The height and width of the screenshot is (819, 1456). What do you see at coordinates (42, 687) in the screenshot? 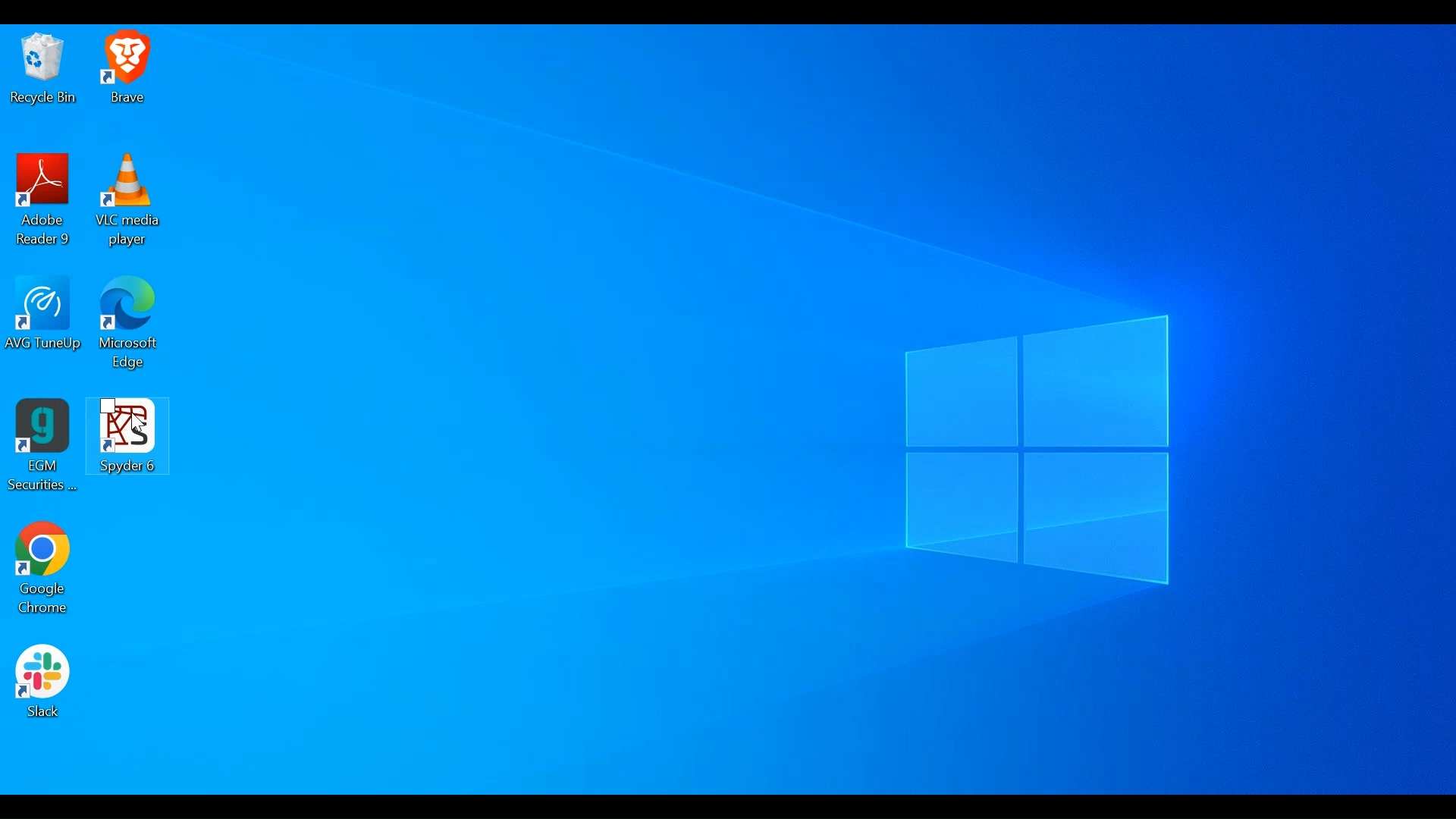
I see `Slack Desktop Icon` at bounding box center [42, 687].